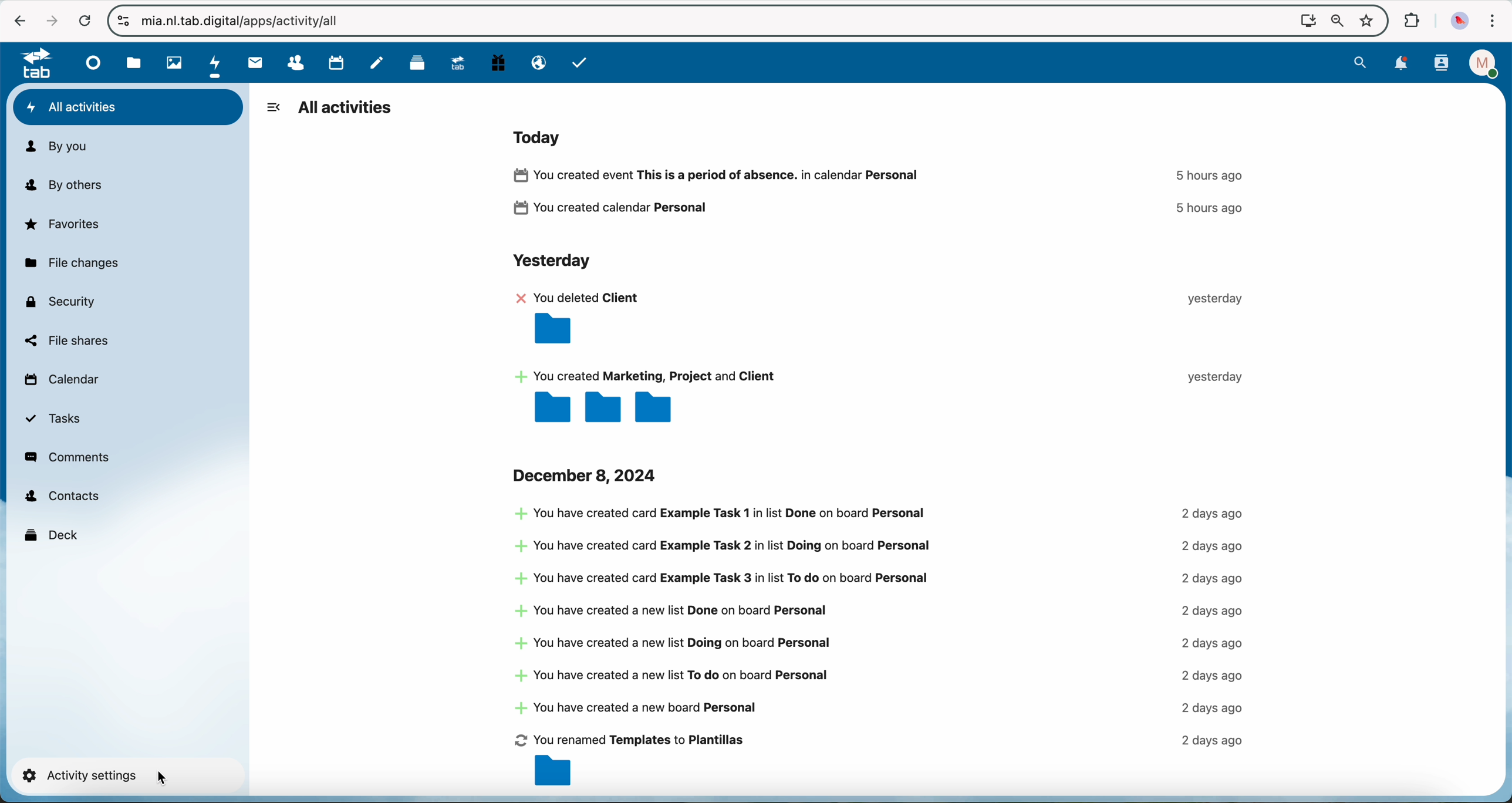  What do you see at coordinates (1443, 63) in the screenshot?
I see `contacts` at bounding box center [1443, 63].